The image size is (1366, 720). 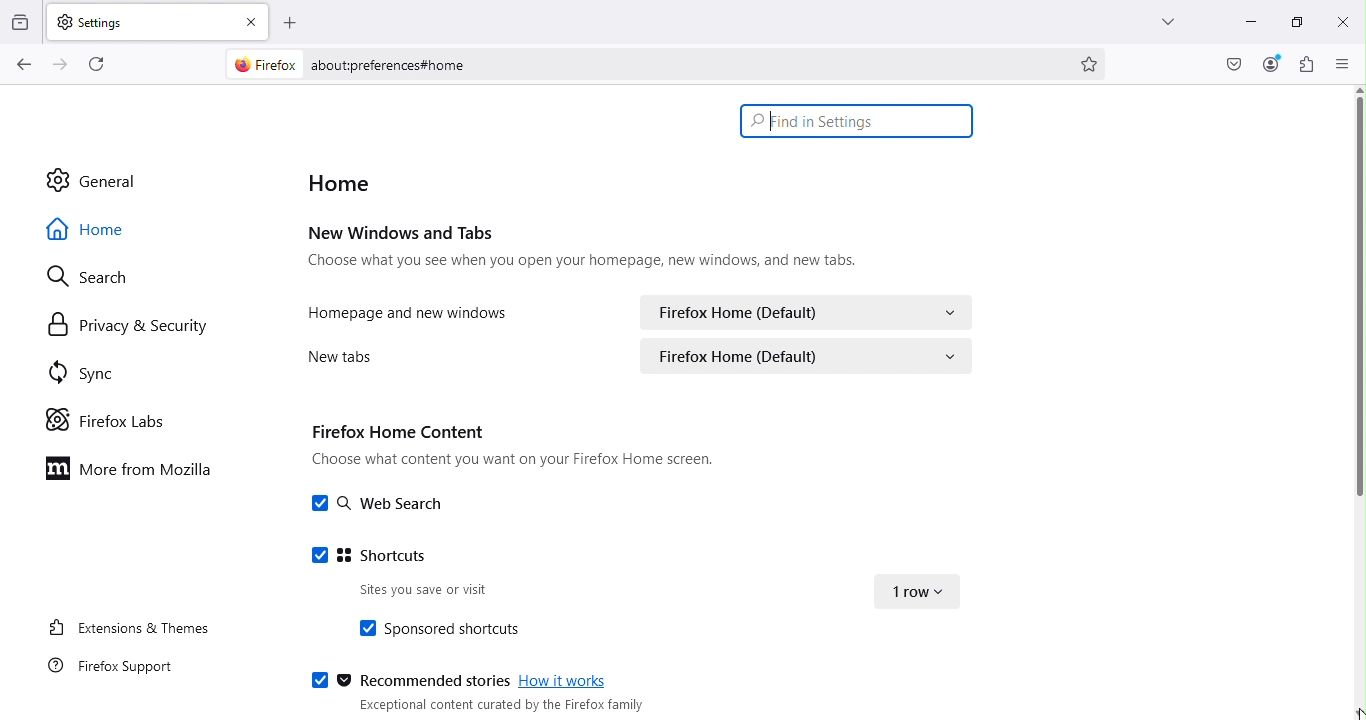 I want to click on Extensions, so click(x=1307, y=64).